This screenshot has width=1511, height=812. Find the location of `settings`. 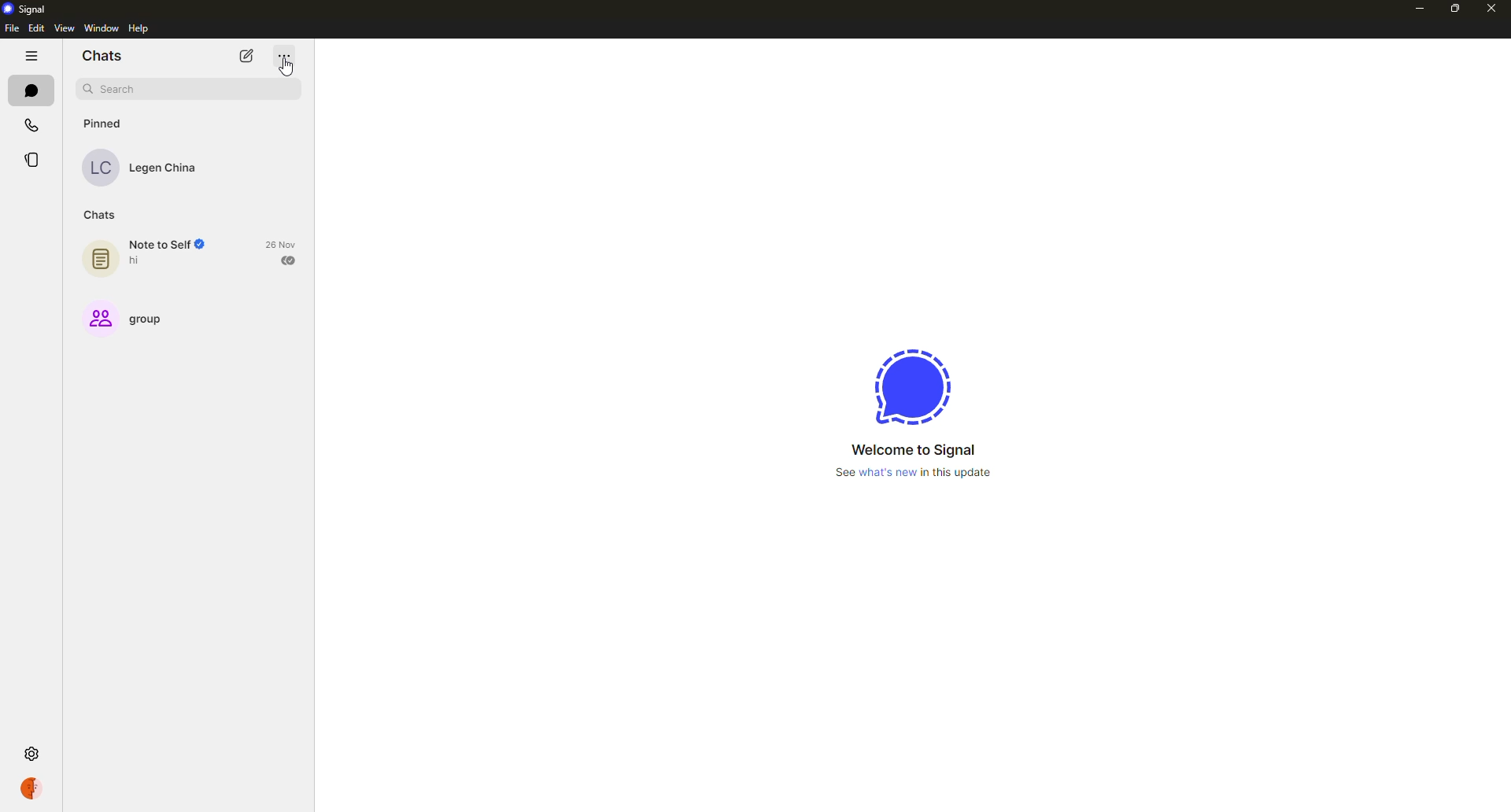

settings is located at coordinates (35, 754).